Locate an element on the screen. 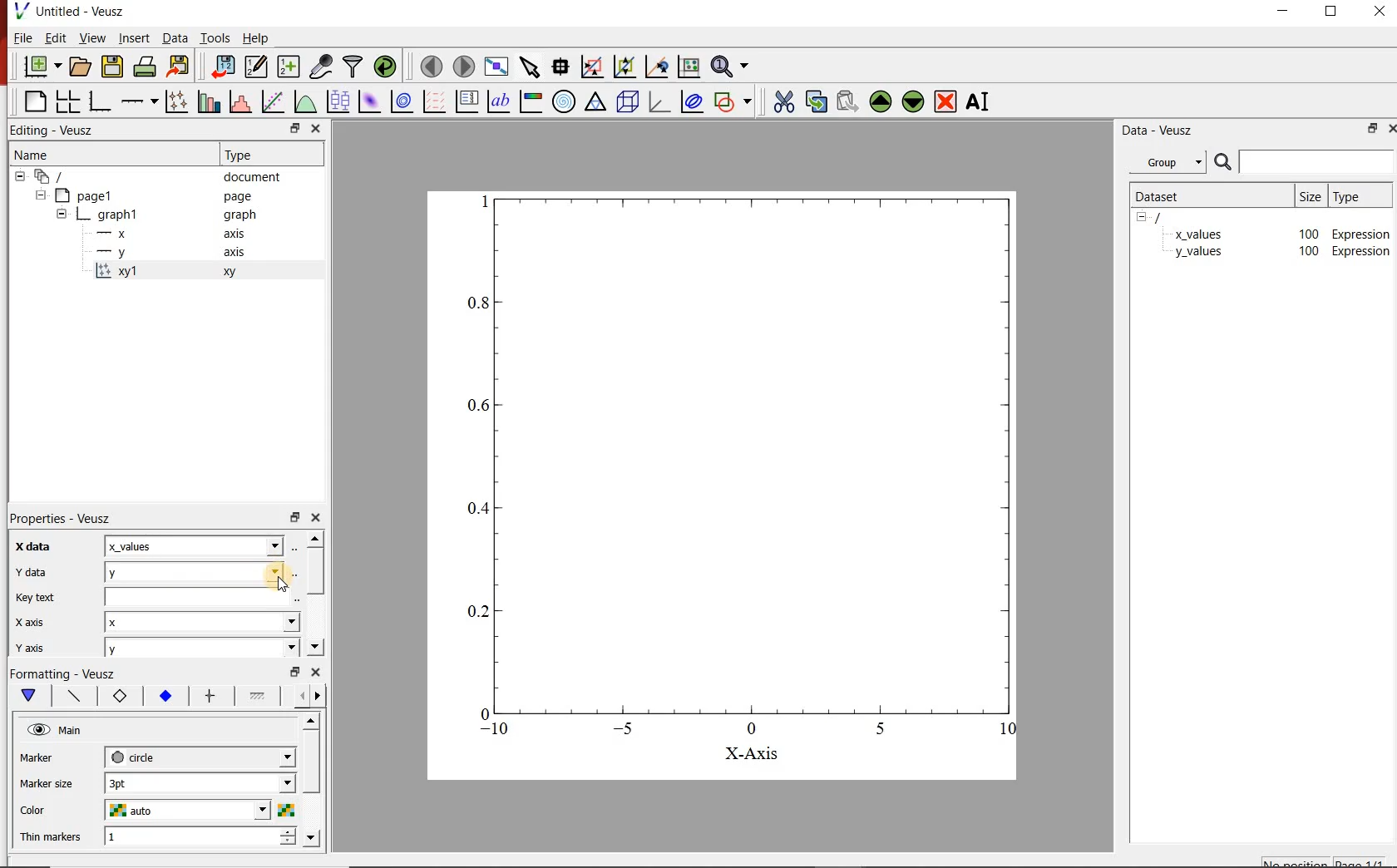 The image size is (1397, 868). input search is located at coordinates (1316, 161).